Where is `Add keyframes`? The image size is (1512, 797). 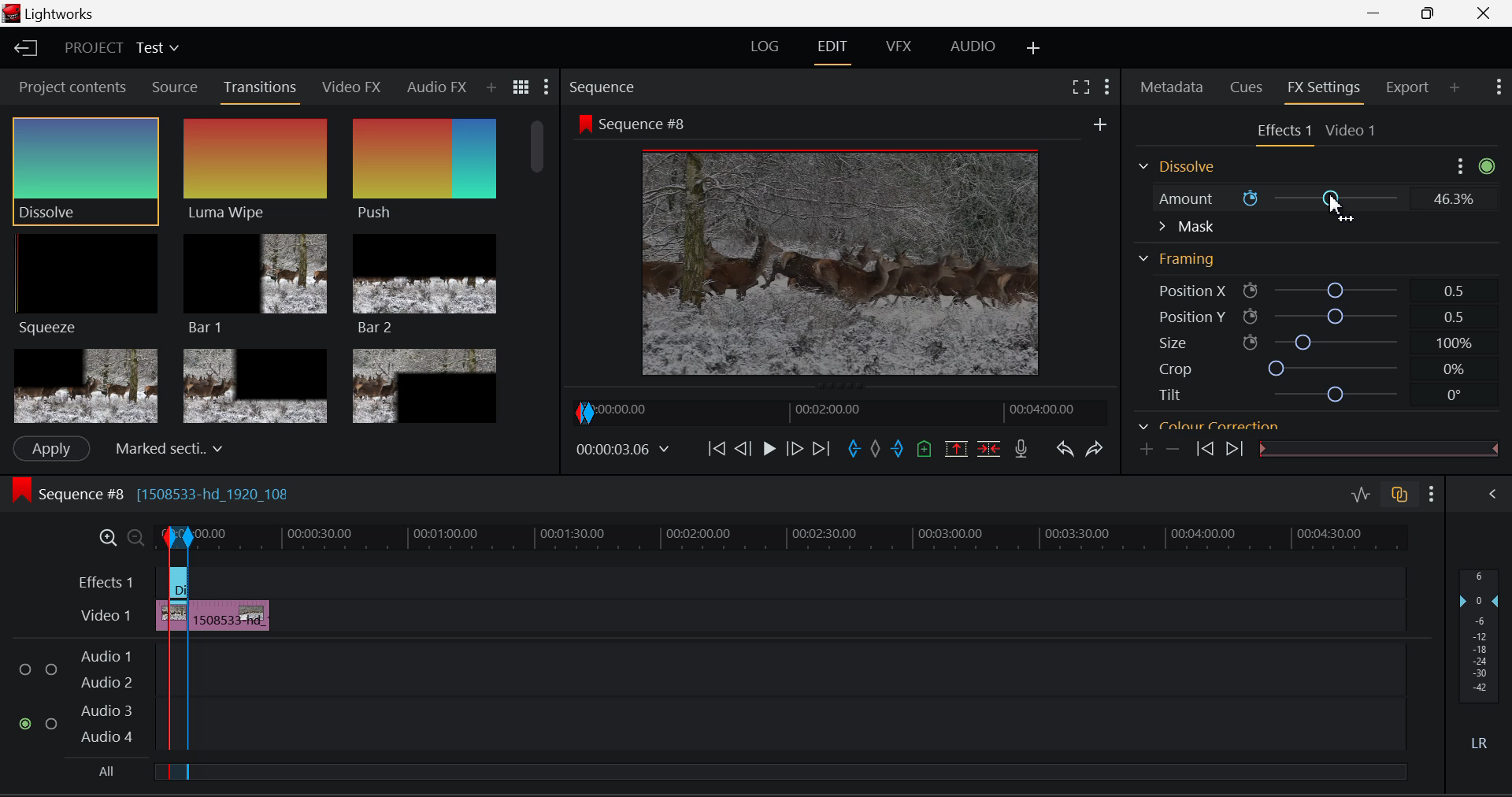 Add keyframes is located at coordinates (1147, 450).